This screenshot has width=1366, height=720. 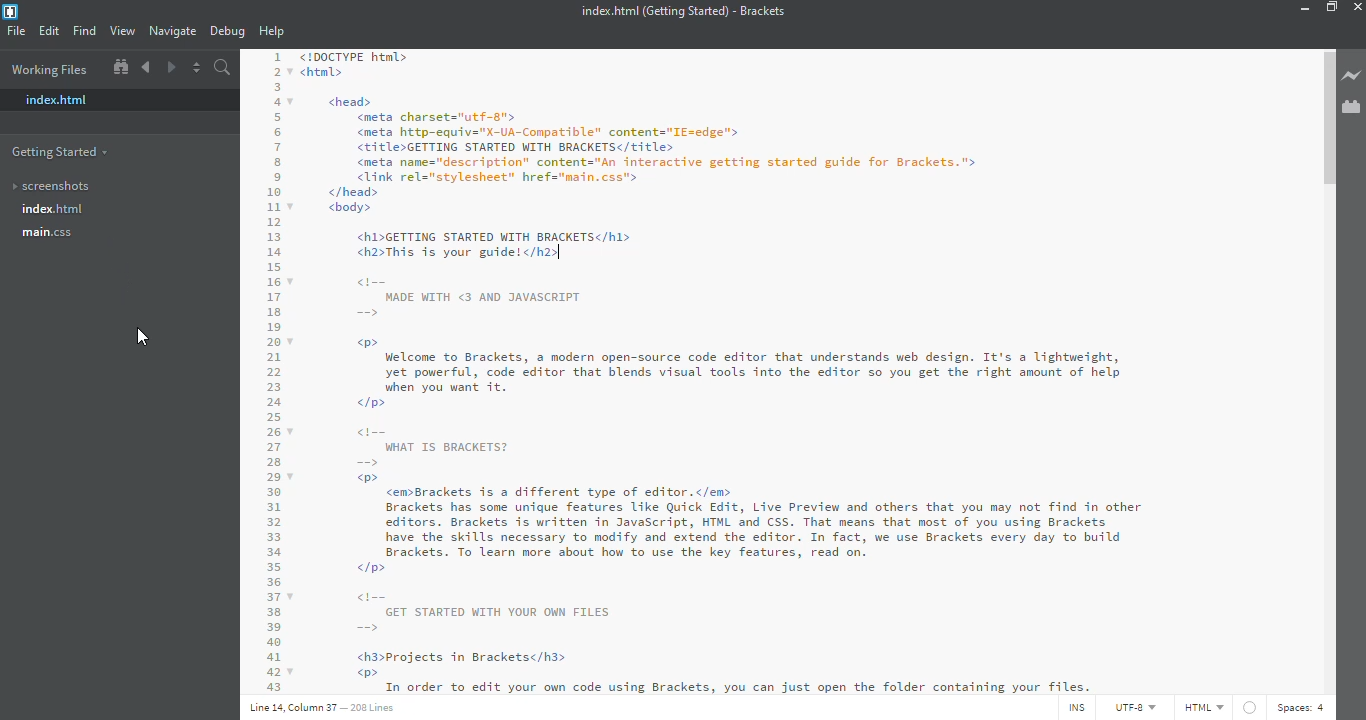 What do you see at coordinates (739, 221) in the screenshot?
I see `<!DOCTYPE html>
<htal>
<head>
<meta charsets"utf-g">
<meta http-equiv="X-UA-Conpatible" content="IE=edge">
<title>GETTING STARTED WITH BRACKETS</title>
<meta name="description” content="An interactive getting started guide for Brackets.">
<link rel="stylesheet" href="nain.css">
</head>
<body>
<h1>GETTING STARTED WITH BRACKETS</hl>
<h2>This is your guide!</h2>
MADE WITH <3 AND JAVASCRIPT
>
Welcome to Brackets, a modern open-source code editor that understands web design. It's a lightweight,
yet powerful, code editor that blends visual tools into the editor so you get the right amount of help
hen A Sa` at bounding box center [739, 221].